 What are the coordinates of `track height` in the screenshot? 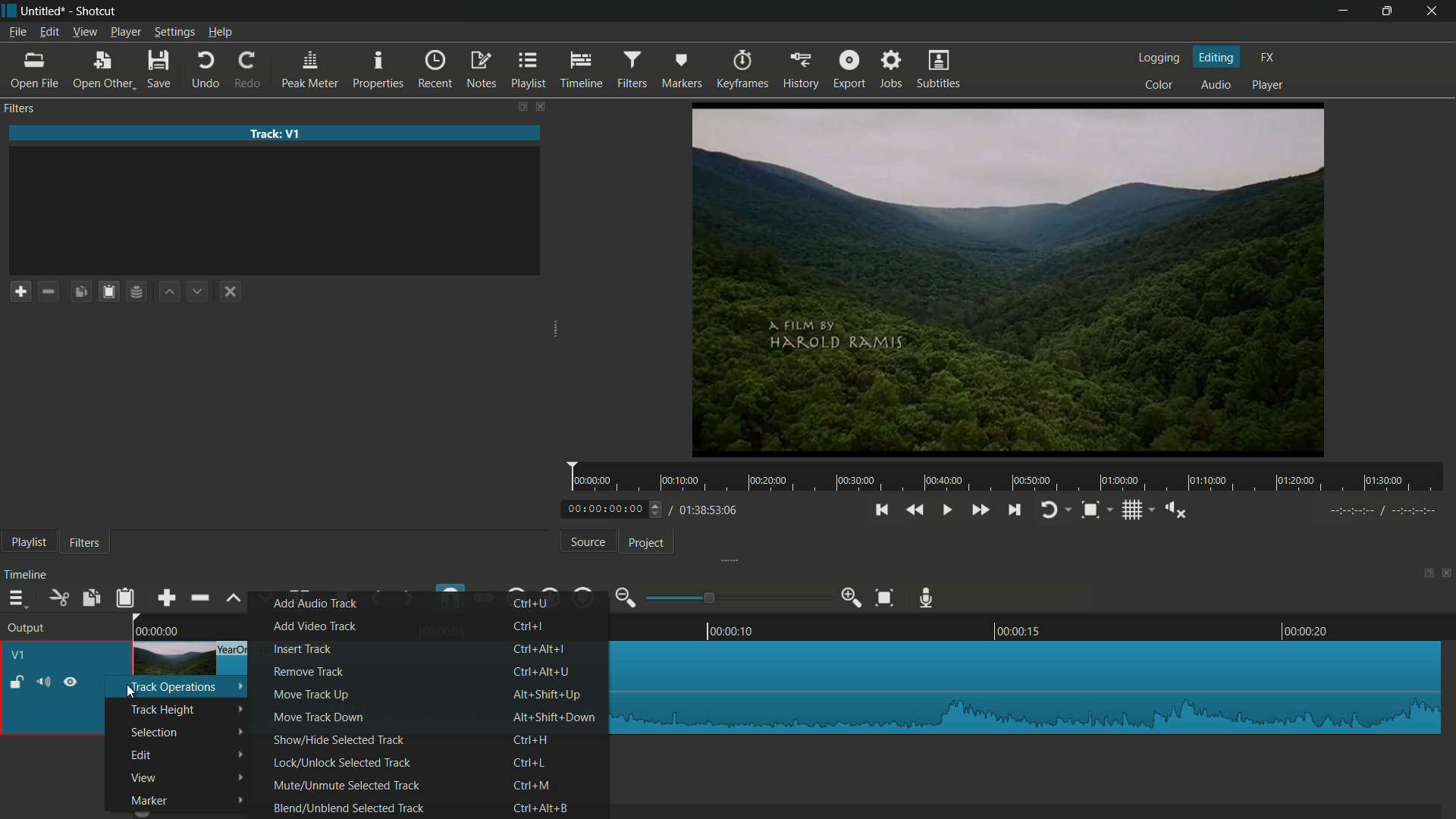 It's located at (162, 709).